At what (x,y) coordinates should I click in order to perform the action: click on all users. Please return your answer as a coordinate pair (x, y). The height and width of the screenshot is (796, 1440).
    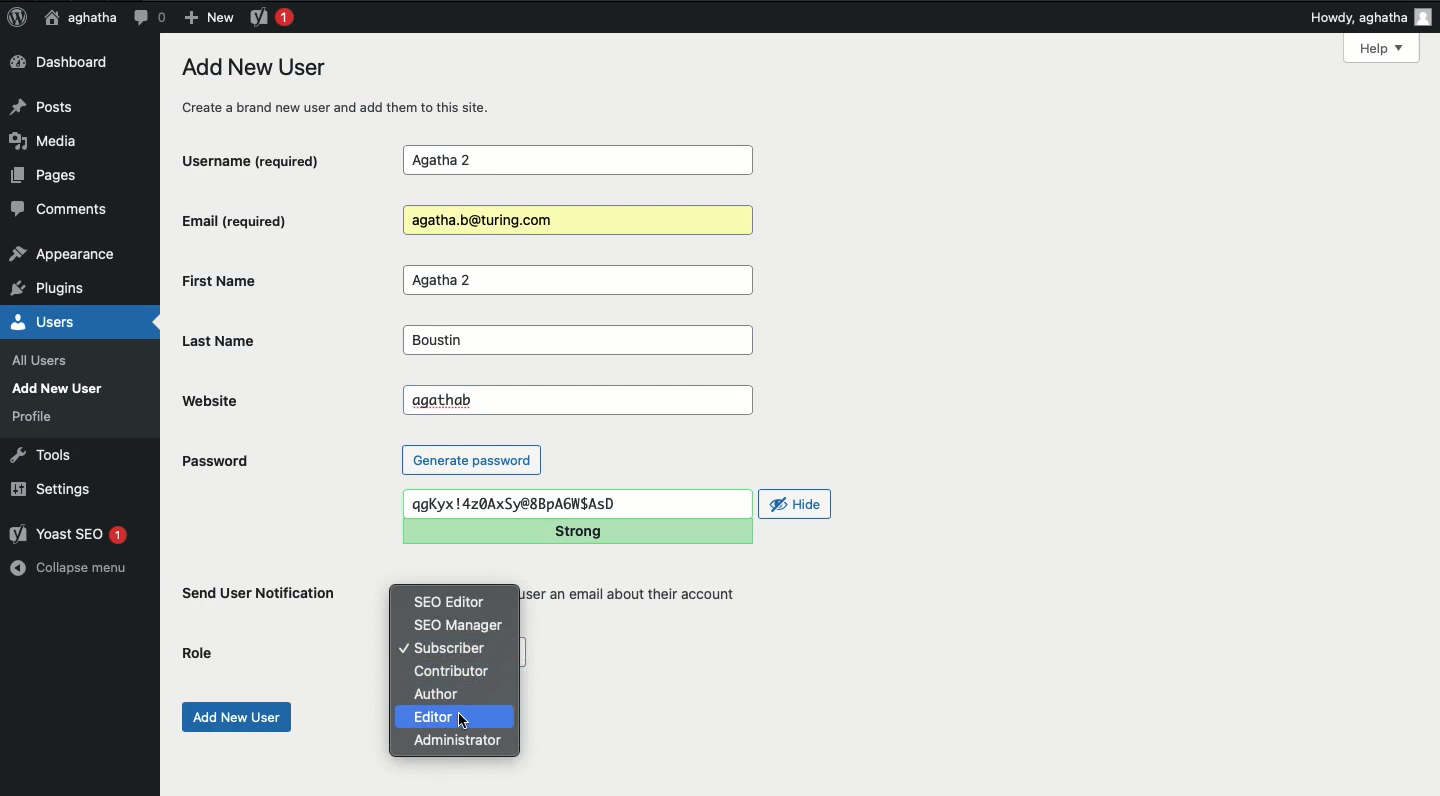
    Looking at the image, I should click on (45, 361).